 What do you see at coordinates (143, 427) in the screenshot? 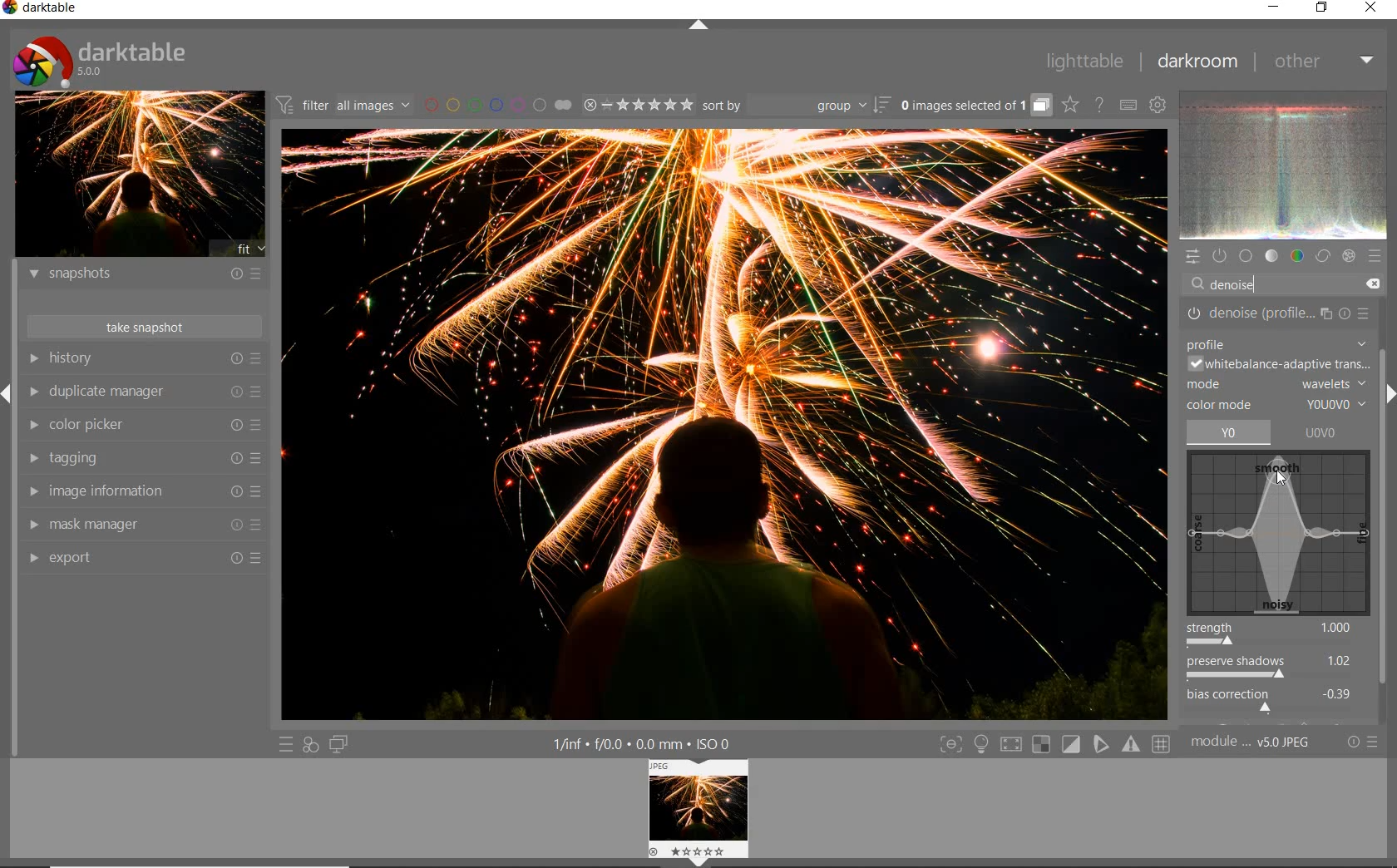
I see `color picker` at bounding box center [143, 427].